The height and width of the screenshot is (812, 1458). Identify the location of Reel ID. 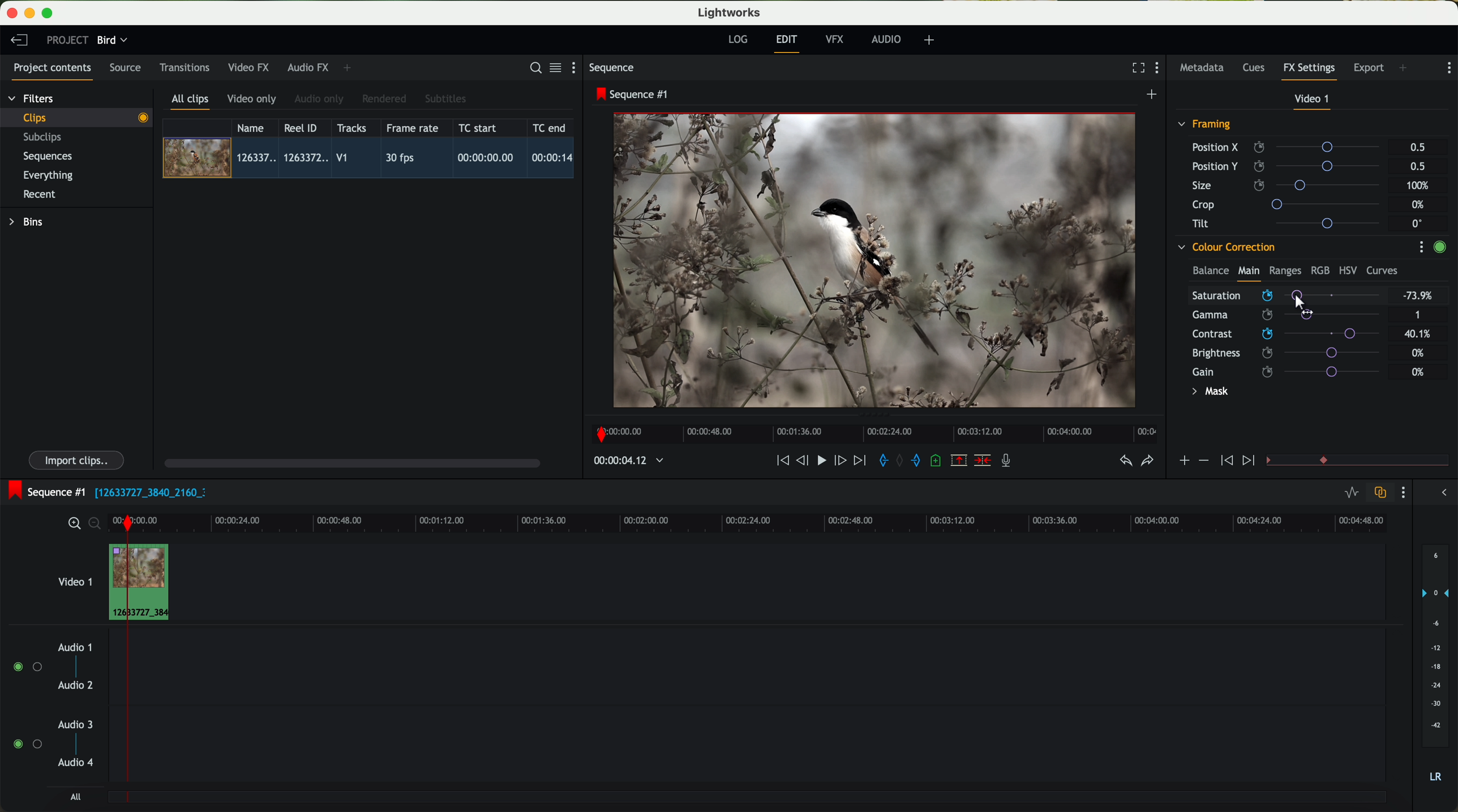
(303, 127).